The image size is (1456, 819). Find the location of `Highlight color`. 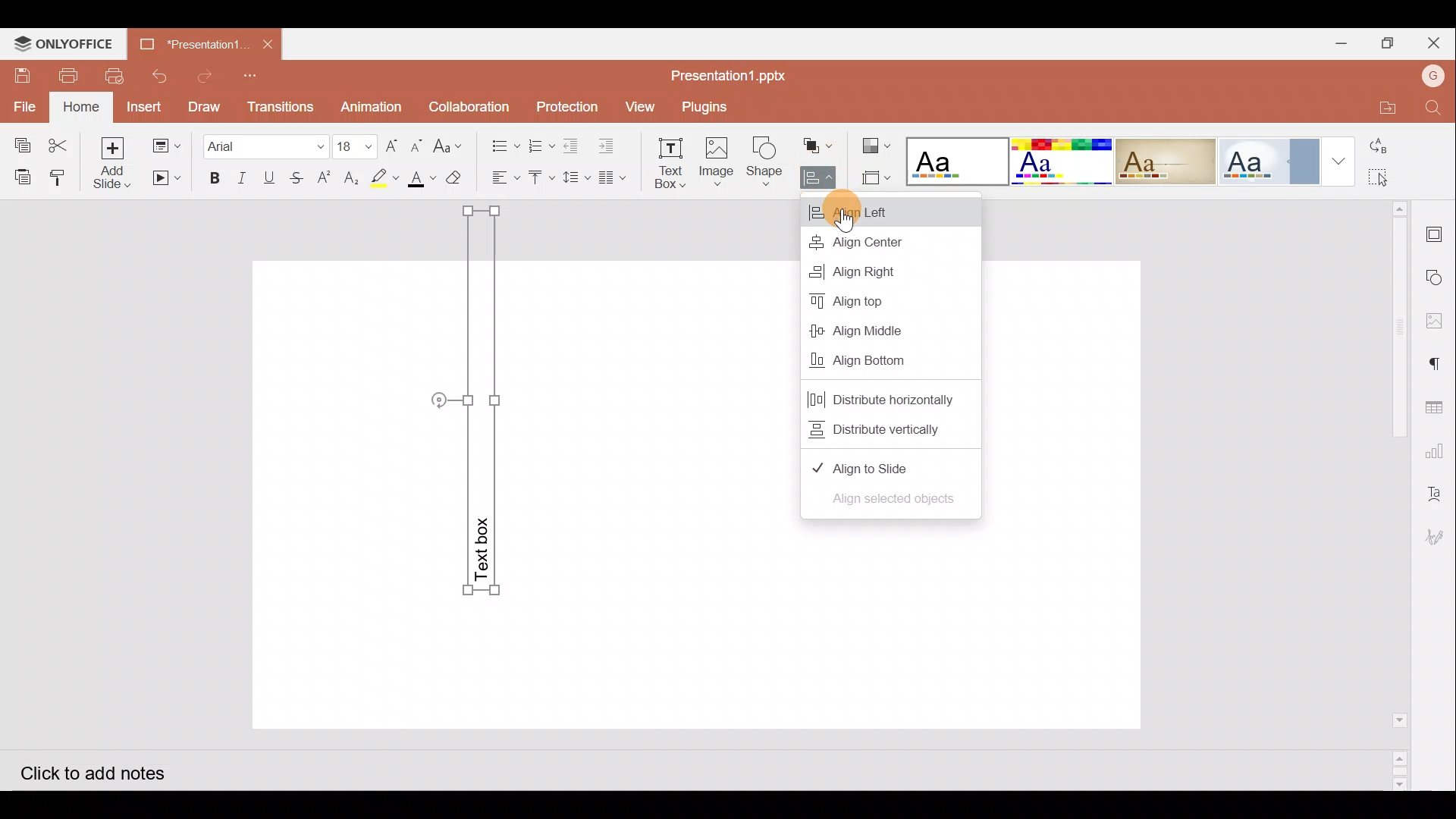

Highlight color is located at coordinates (381, 177).